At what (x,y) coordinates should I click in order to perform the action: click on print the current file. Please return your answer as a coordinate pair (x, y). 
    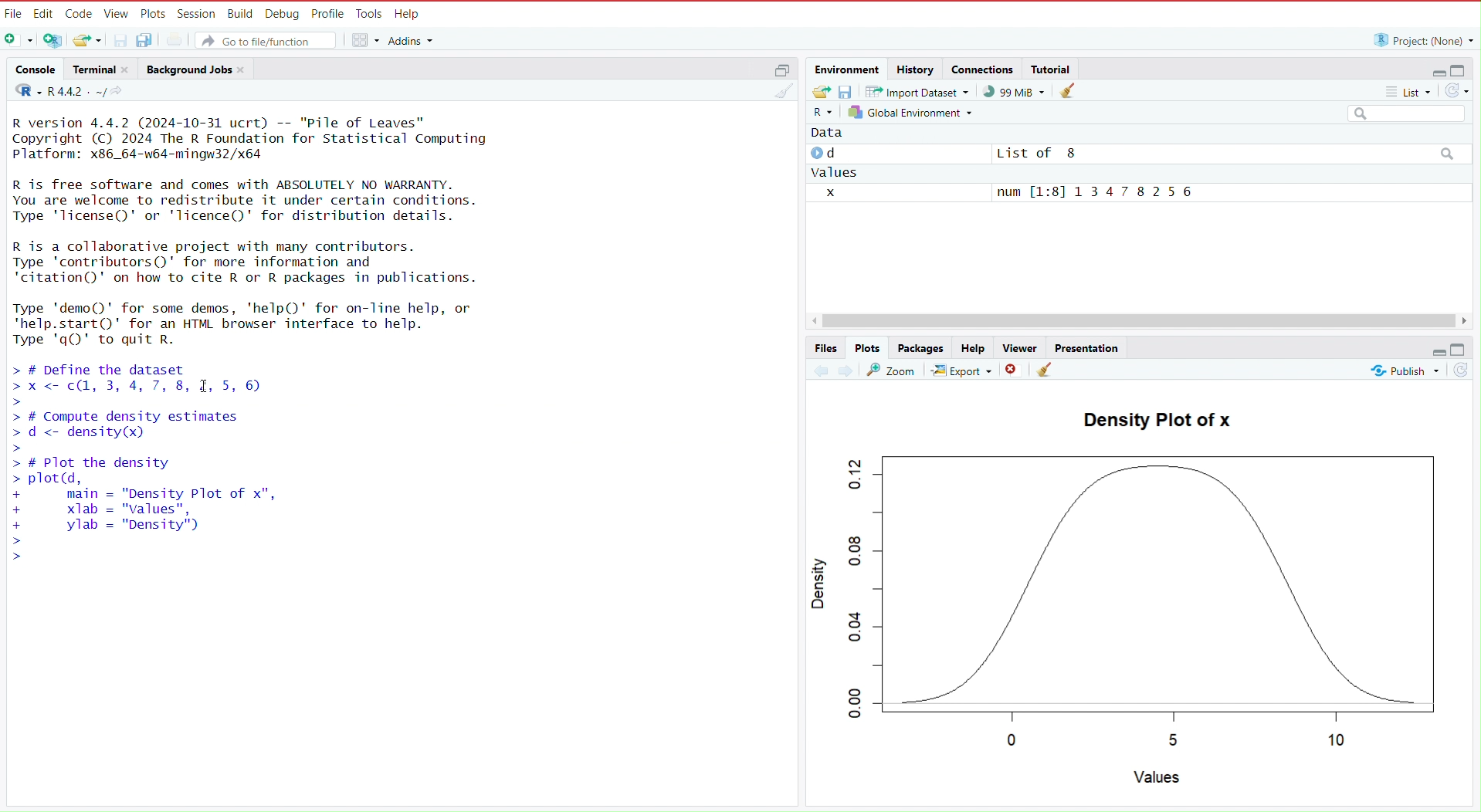
    Looking at the image, I should click on (174, 41).